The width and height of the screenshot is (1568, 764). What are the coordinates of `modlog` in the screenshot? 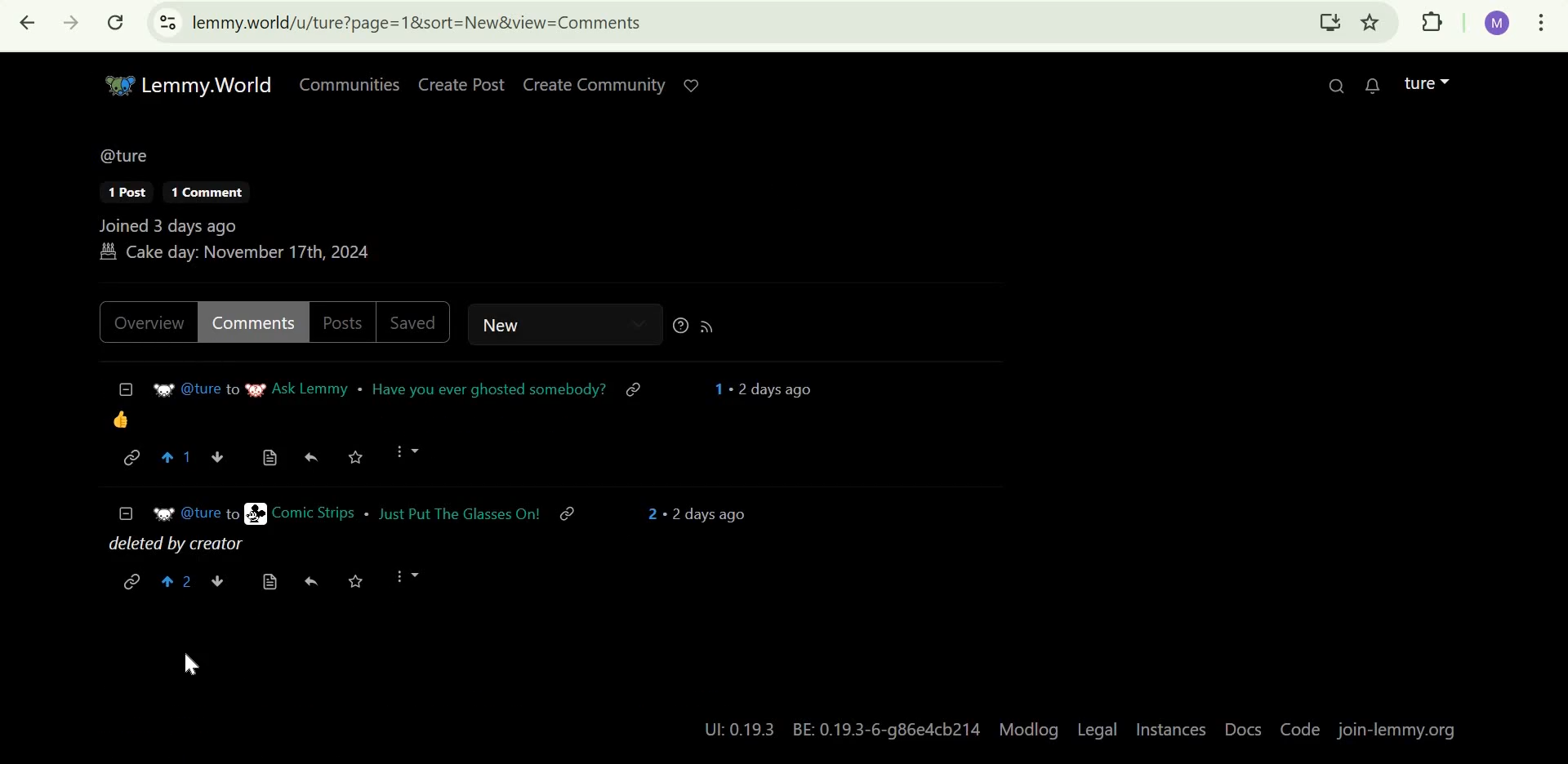 It's located at (1031, 731).